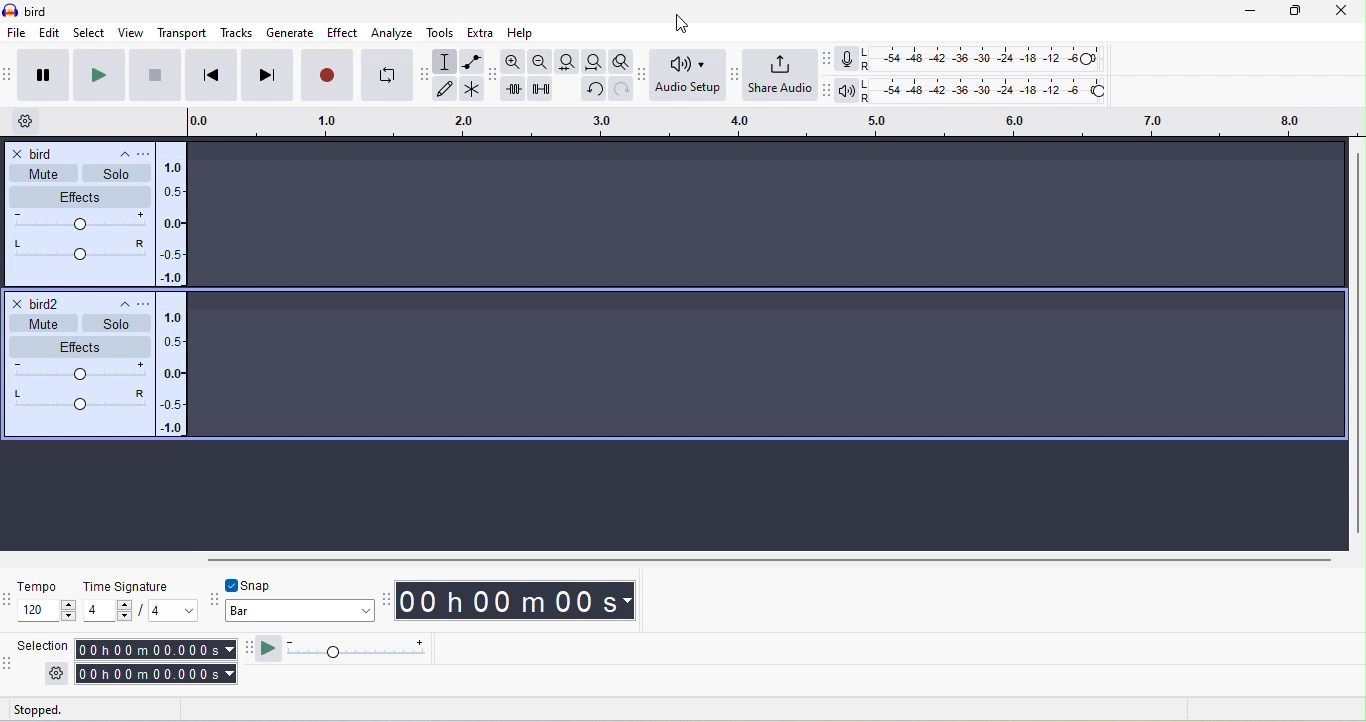 The height and width of the screenshot is (722, 1366). I want to click on solo, so click(117, 322).